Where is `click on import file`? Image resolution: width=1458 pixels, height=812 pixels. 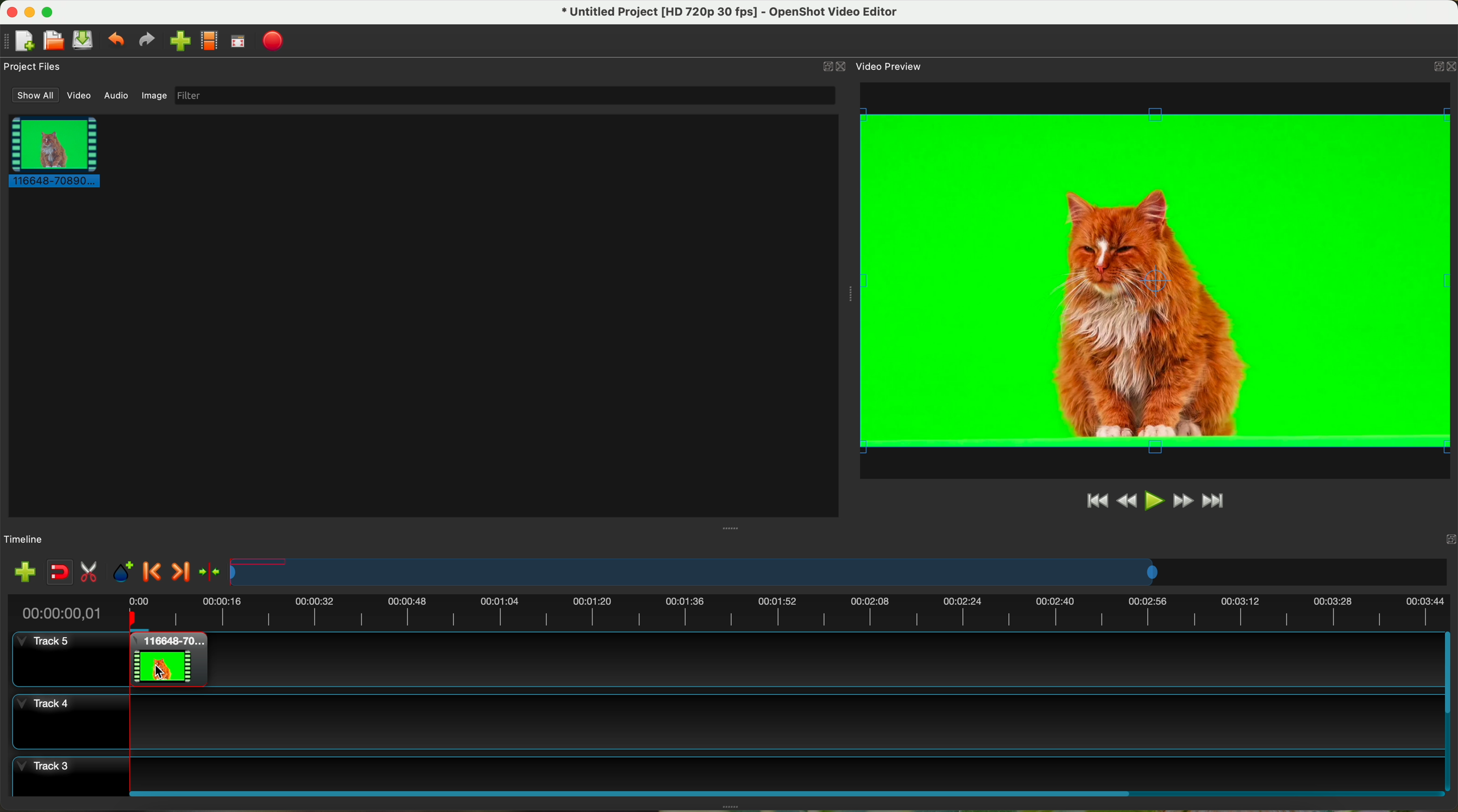 click on import file is located at coordinates (177, 37).